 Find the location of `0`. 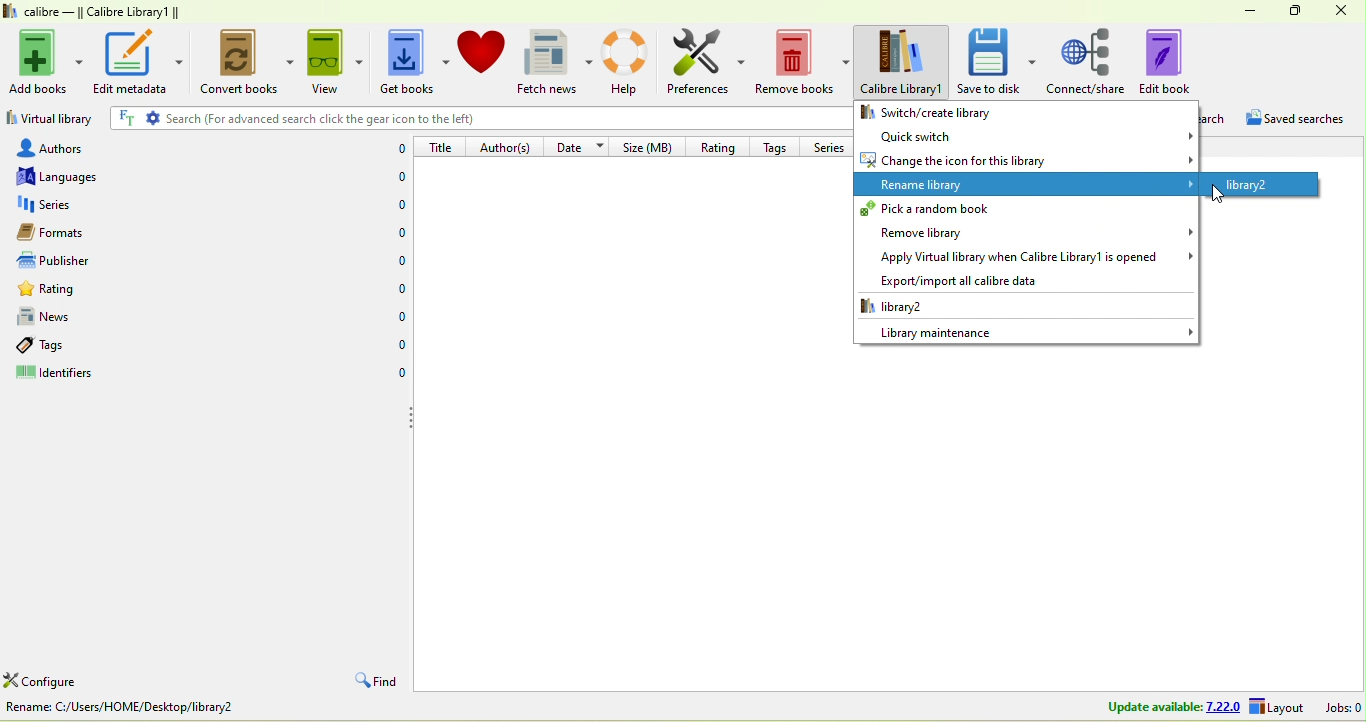

0 is located at coordinates (390, 179).